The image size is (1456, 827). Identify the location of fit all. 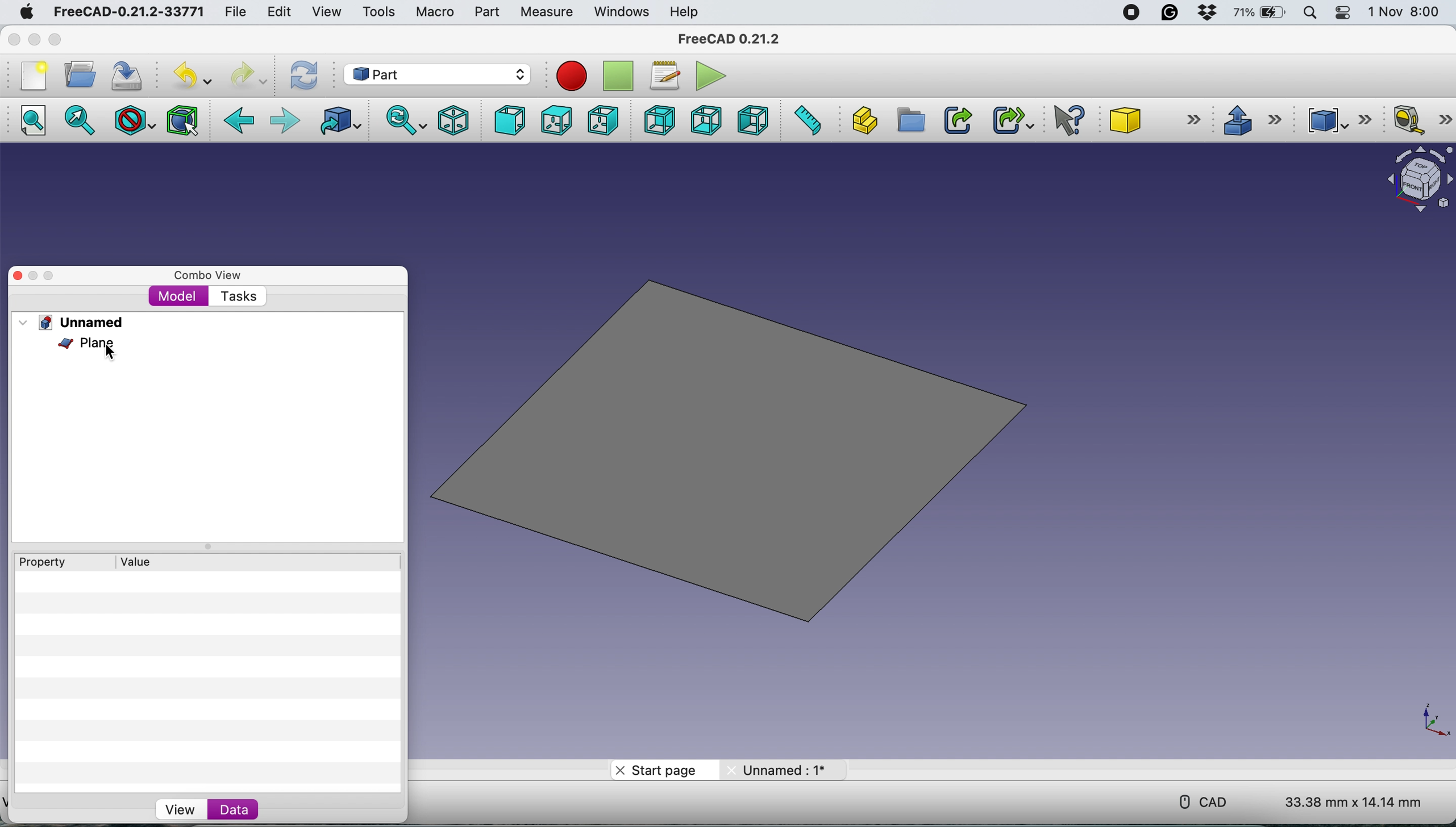
(34, 121).